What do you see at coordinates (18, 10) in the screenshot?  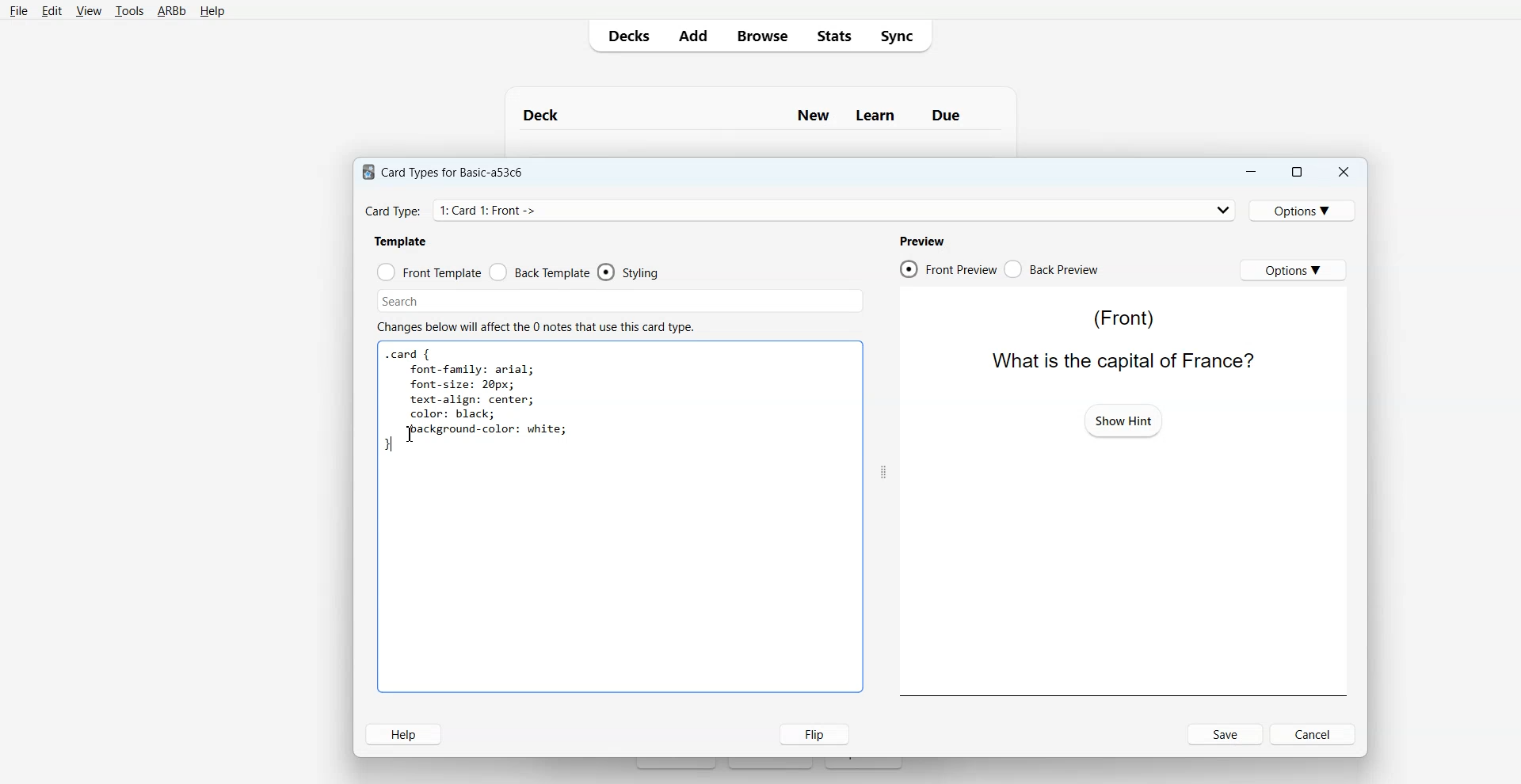 I see `File` at bounding box center [18, 10].